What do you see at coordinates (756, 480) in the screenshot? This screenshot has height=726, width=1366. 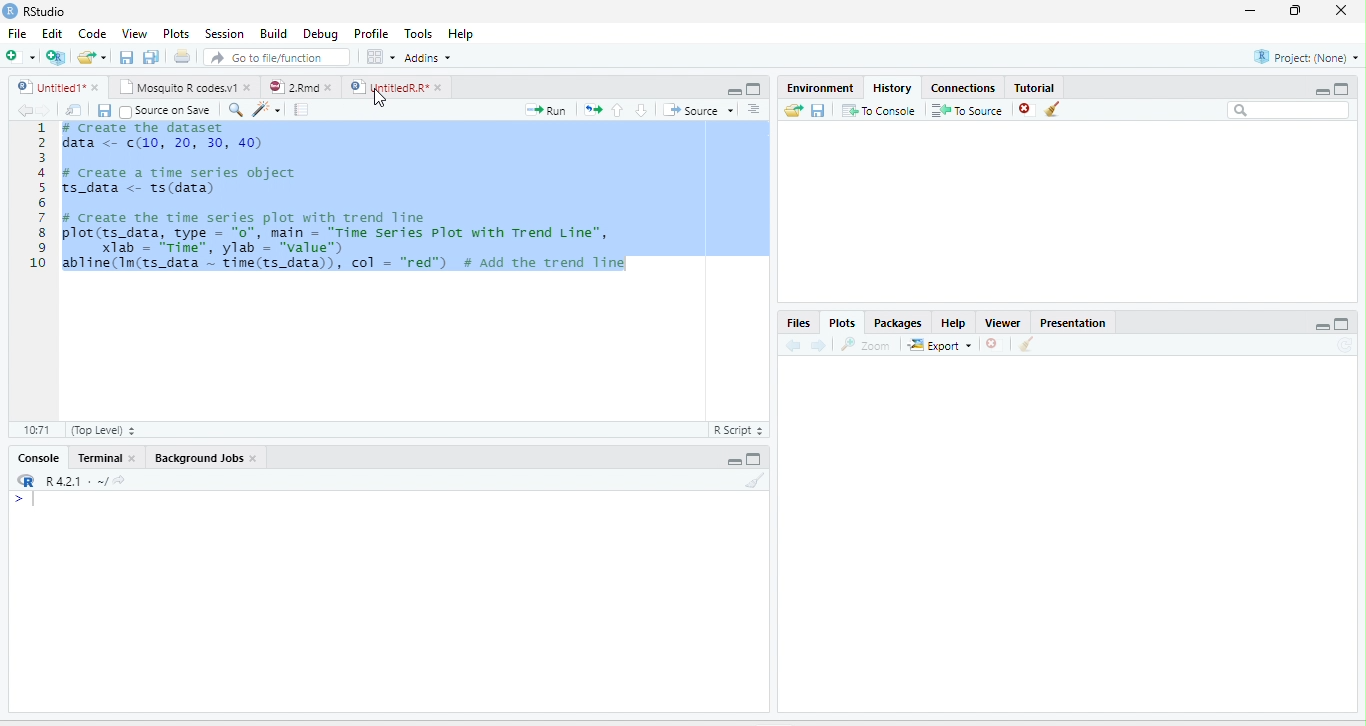 I see `Clear console` at bounding box center [756, 480].